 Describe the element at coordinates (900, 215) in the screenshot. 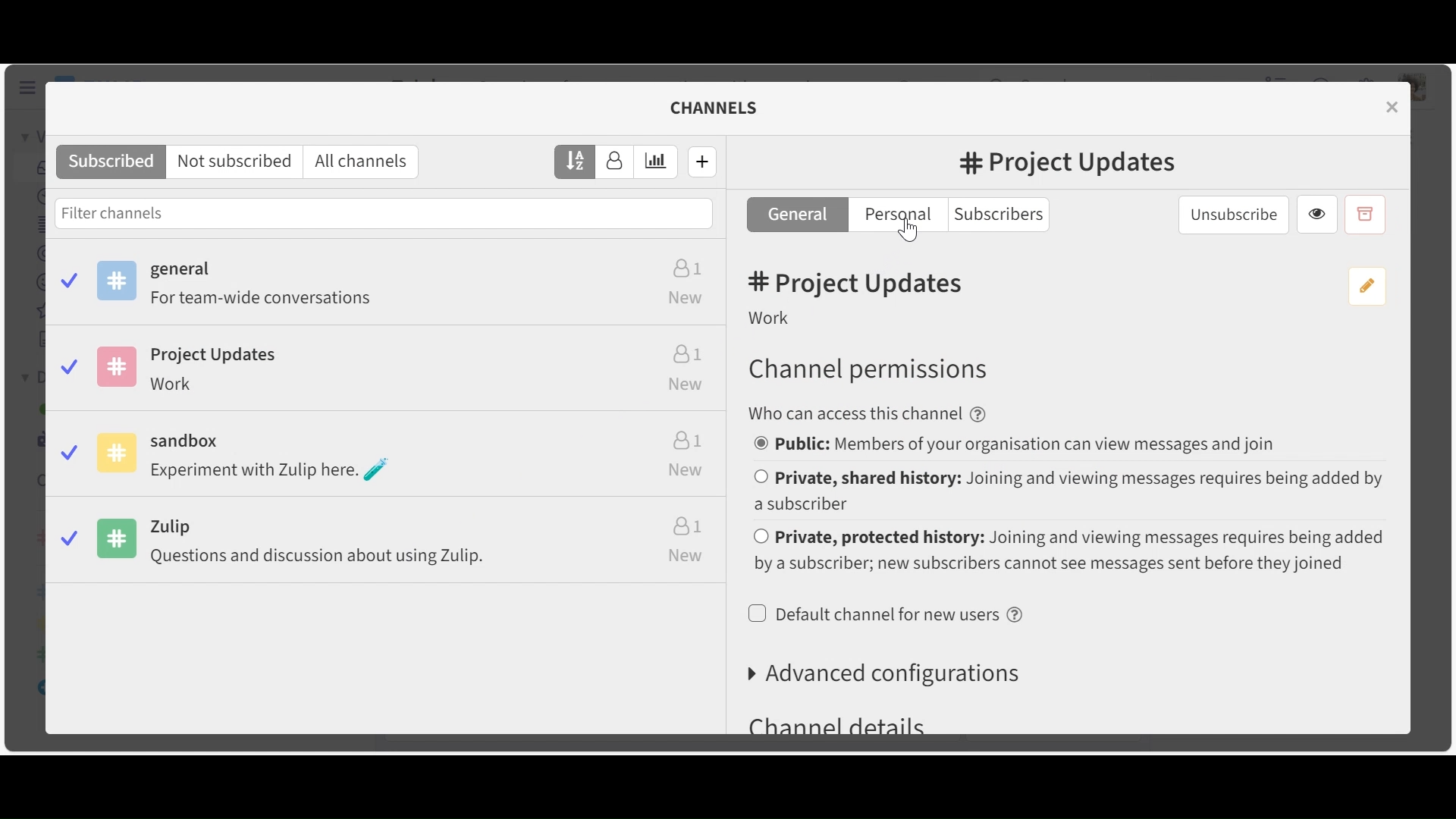

I see `Personal` at that location.